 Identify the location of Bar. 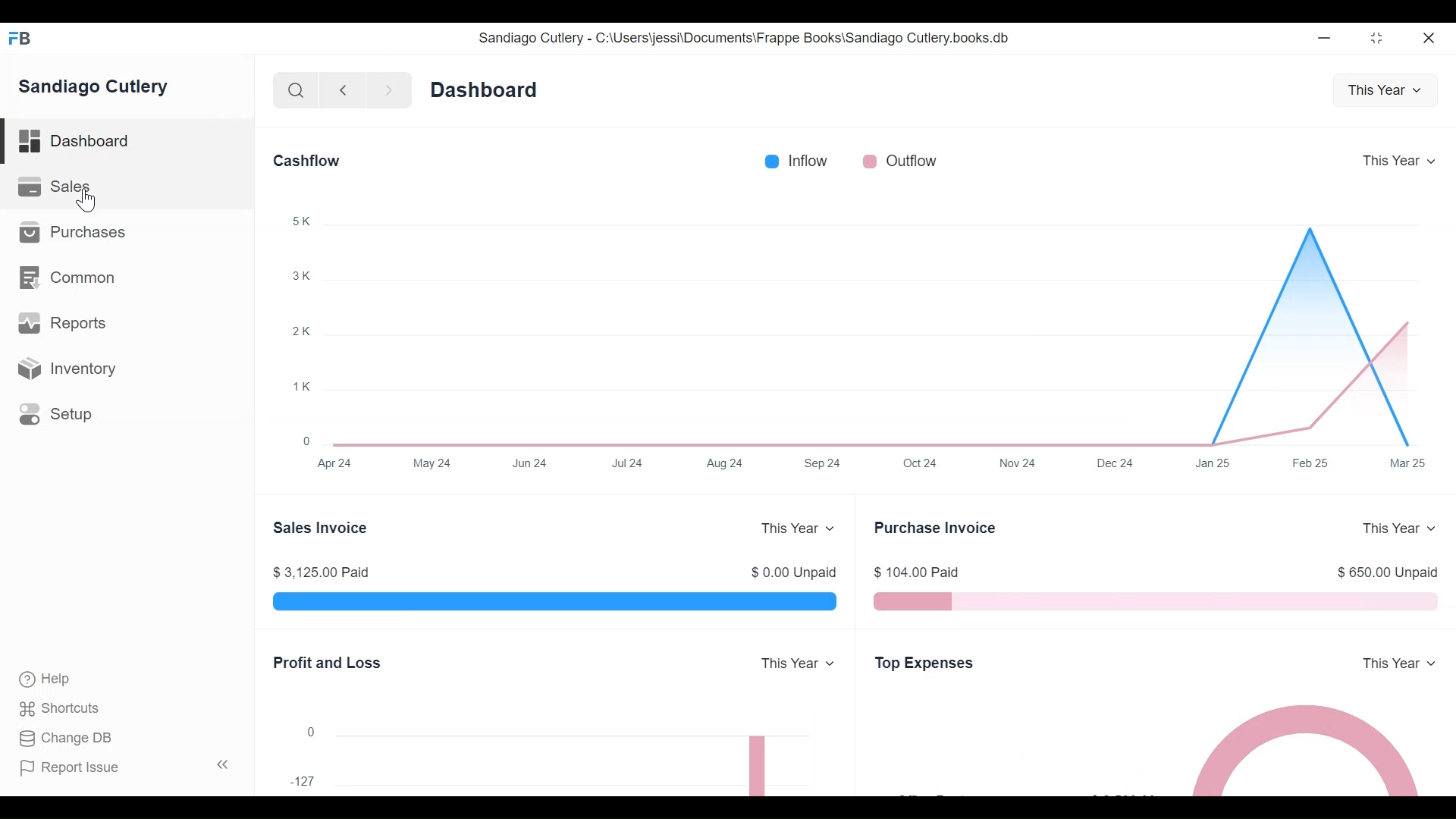
(556, 602).